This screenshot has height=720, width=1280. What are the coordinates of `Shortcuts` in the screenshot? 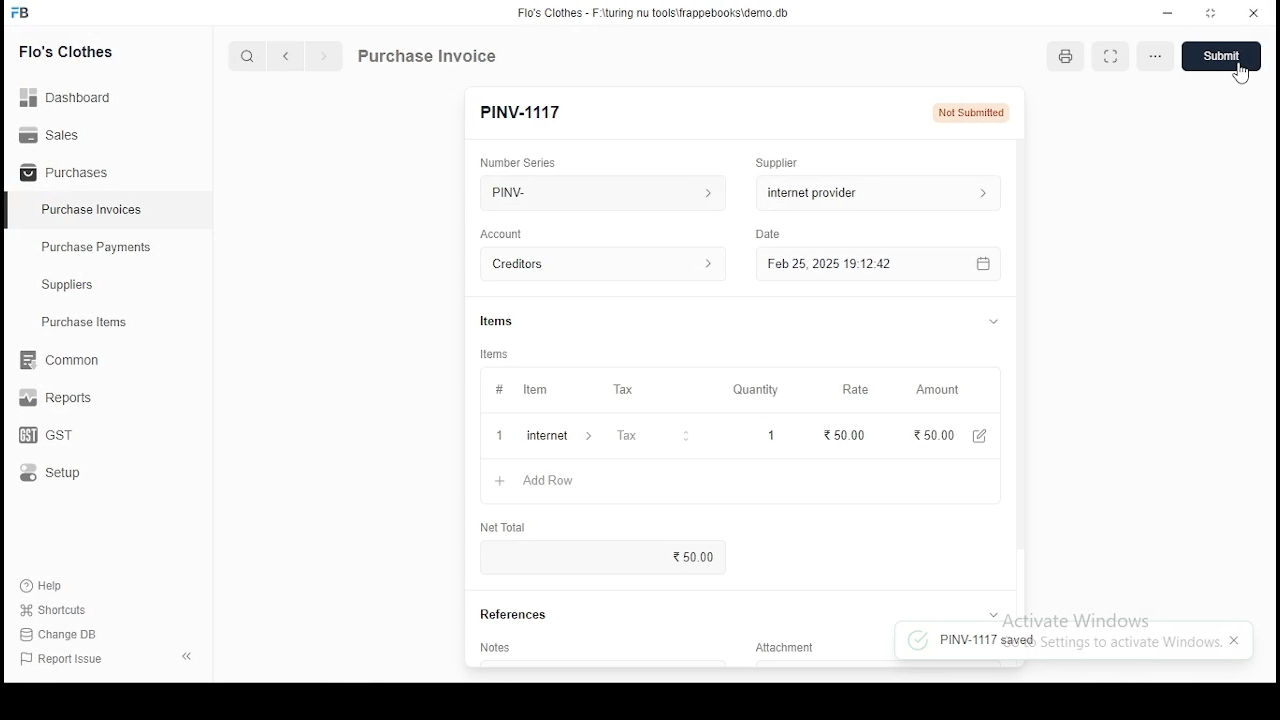 It's located at (61, 610).